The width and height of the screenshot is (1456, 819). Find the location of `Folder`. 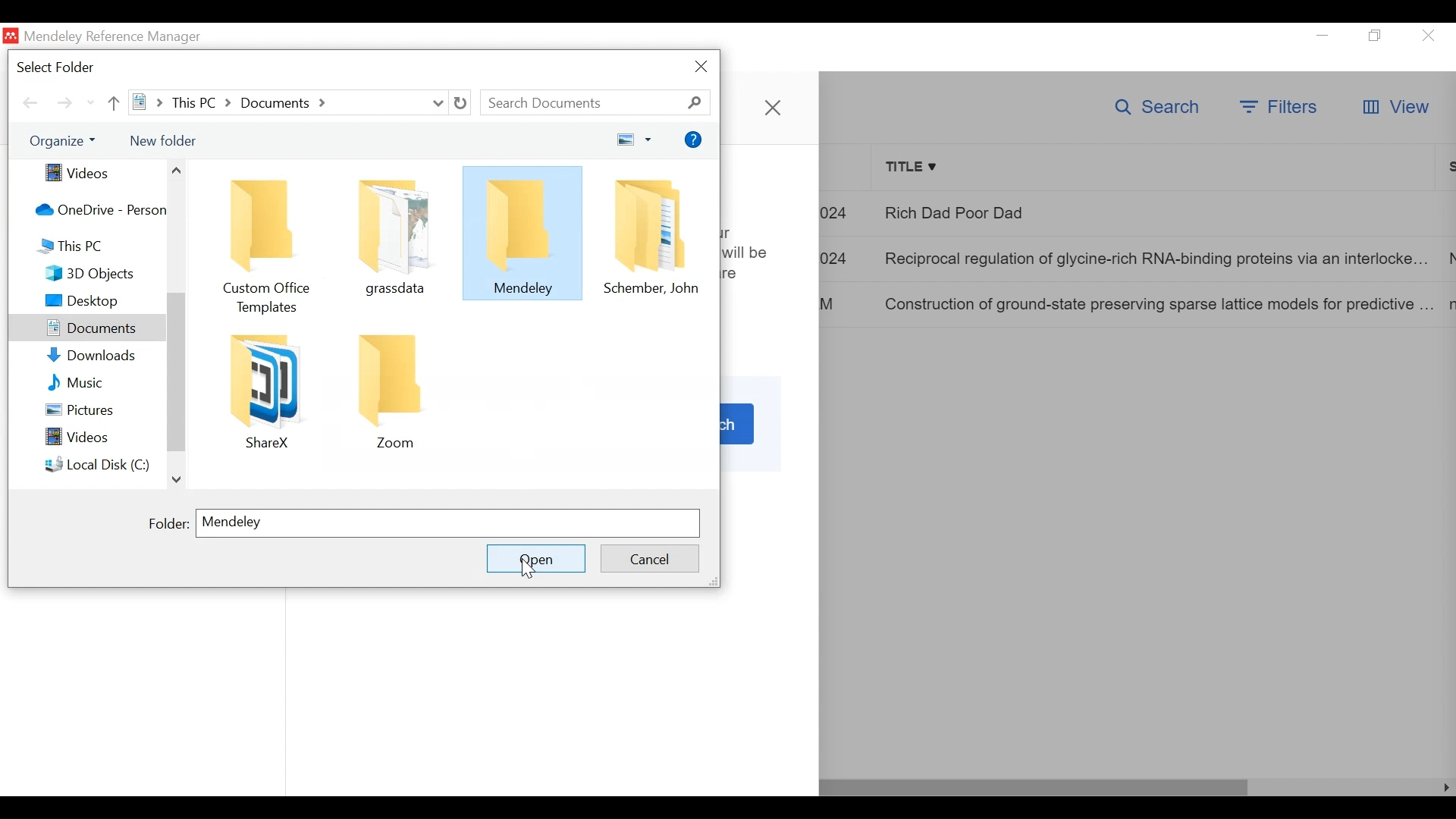

Folder is located at coordinates (651, 234).